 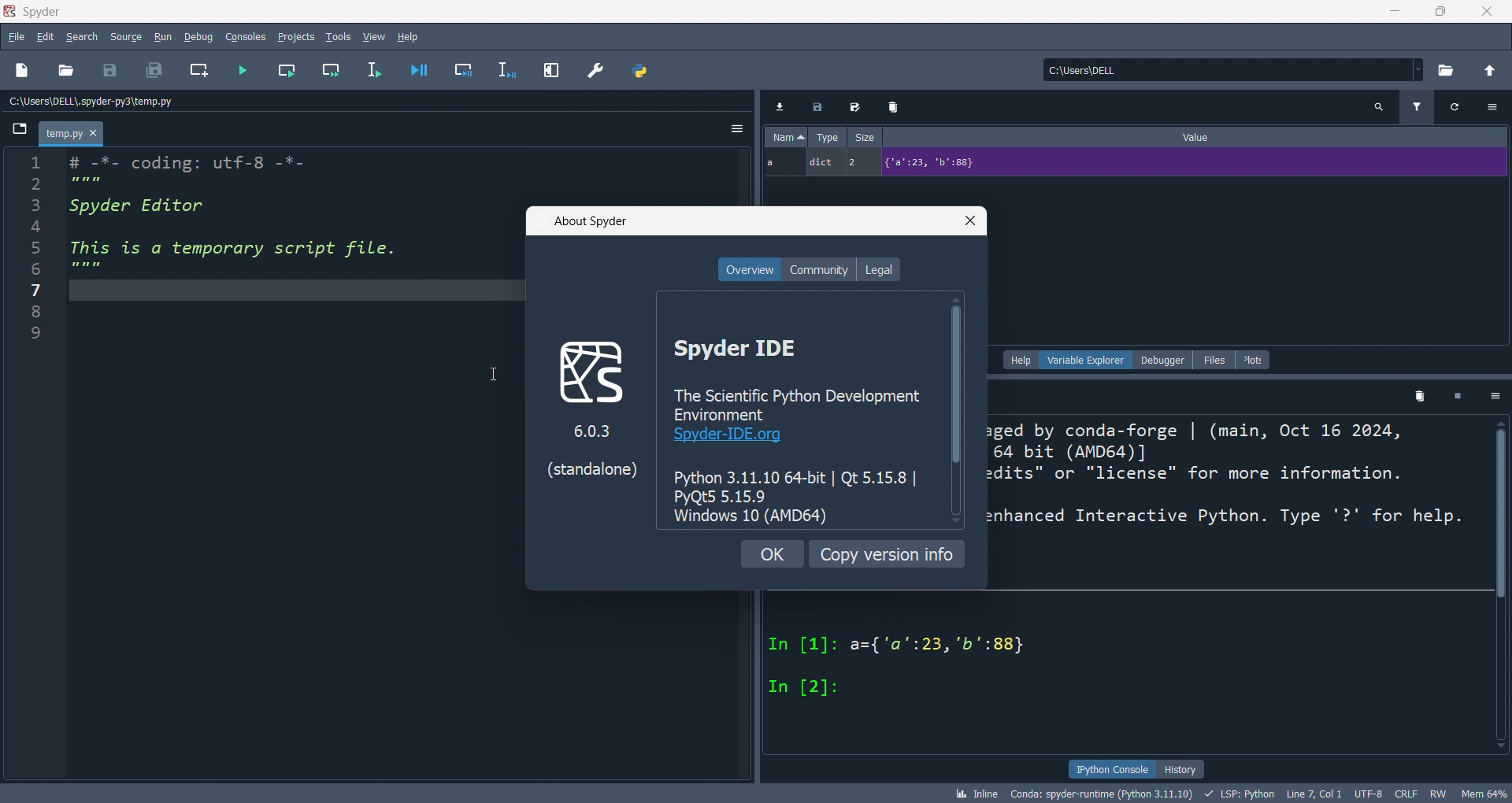 What do you see at coordinates (126, 37) in the screenshot?
I see `source` at bounding box center [126, 37].